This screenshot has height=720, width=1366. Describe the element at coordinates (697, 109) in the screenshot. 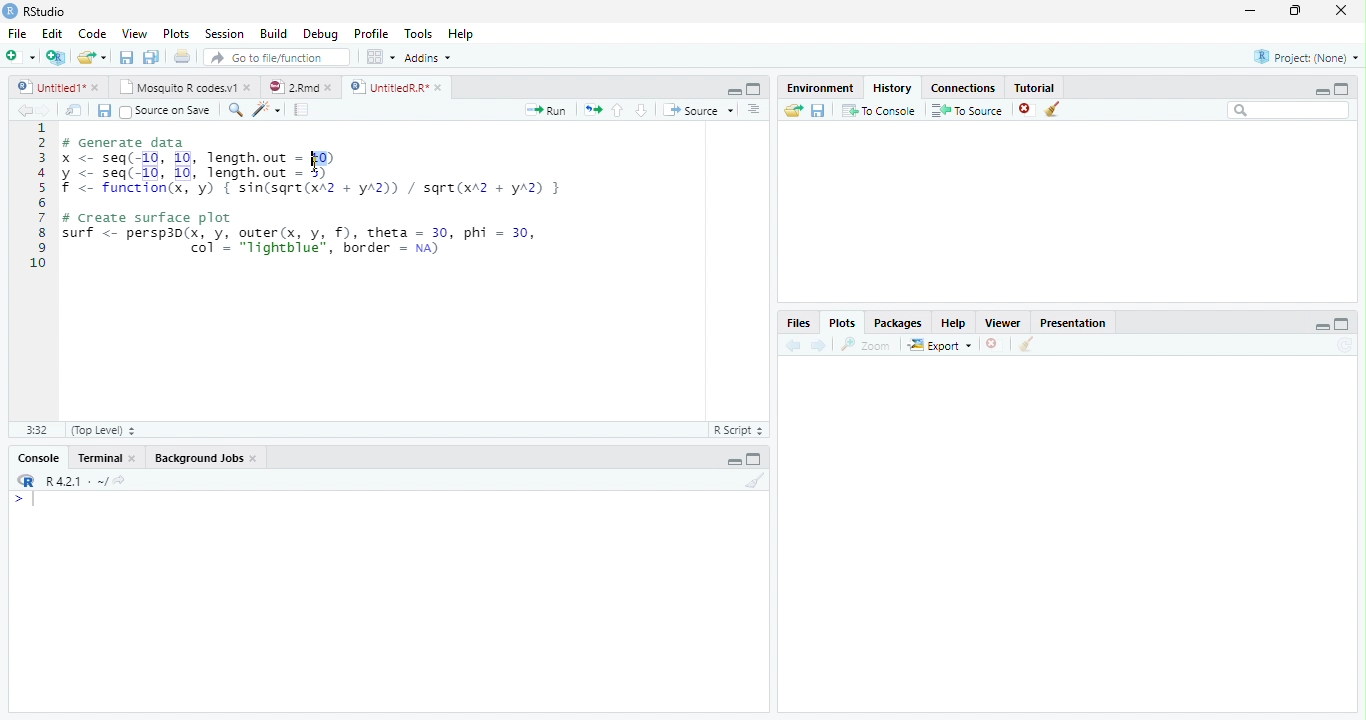

I see `Source` at that location.